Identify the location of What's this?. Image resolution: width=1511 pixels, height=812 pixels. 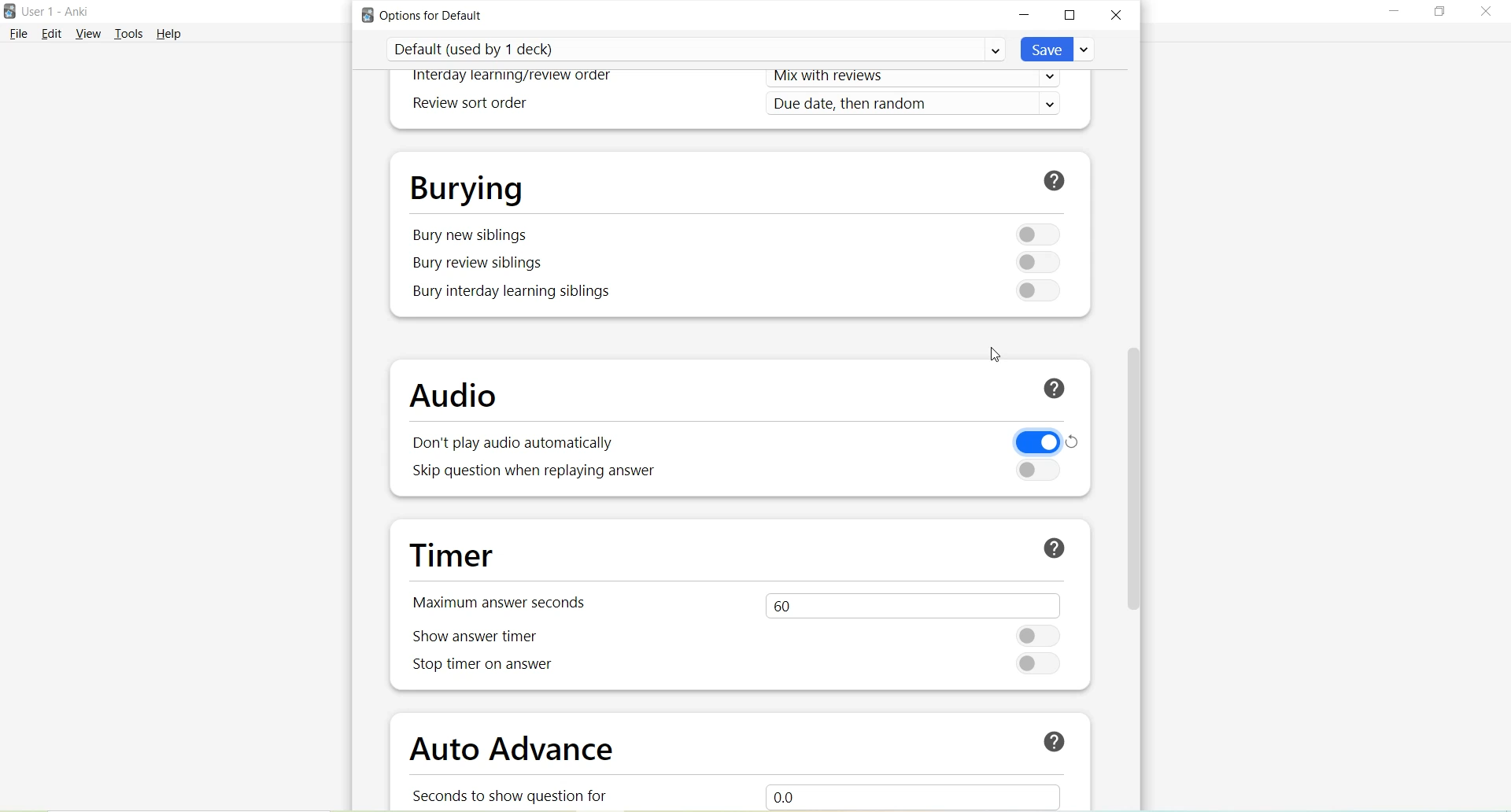
(1054, 548).